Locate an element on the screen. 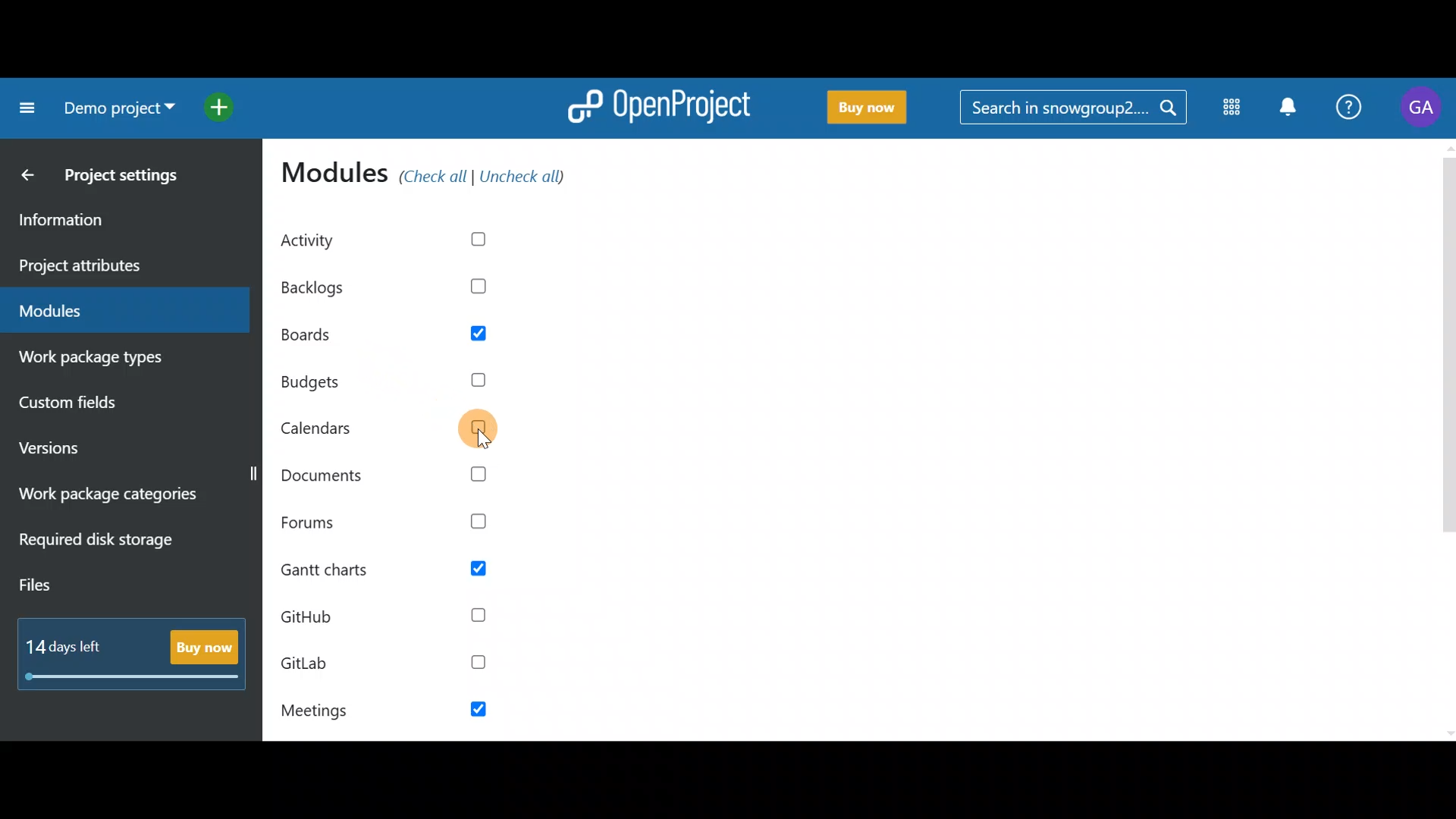 The height and width of the screenshot is (819, 1456). Modules is located at coordinates (119, 306).